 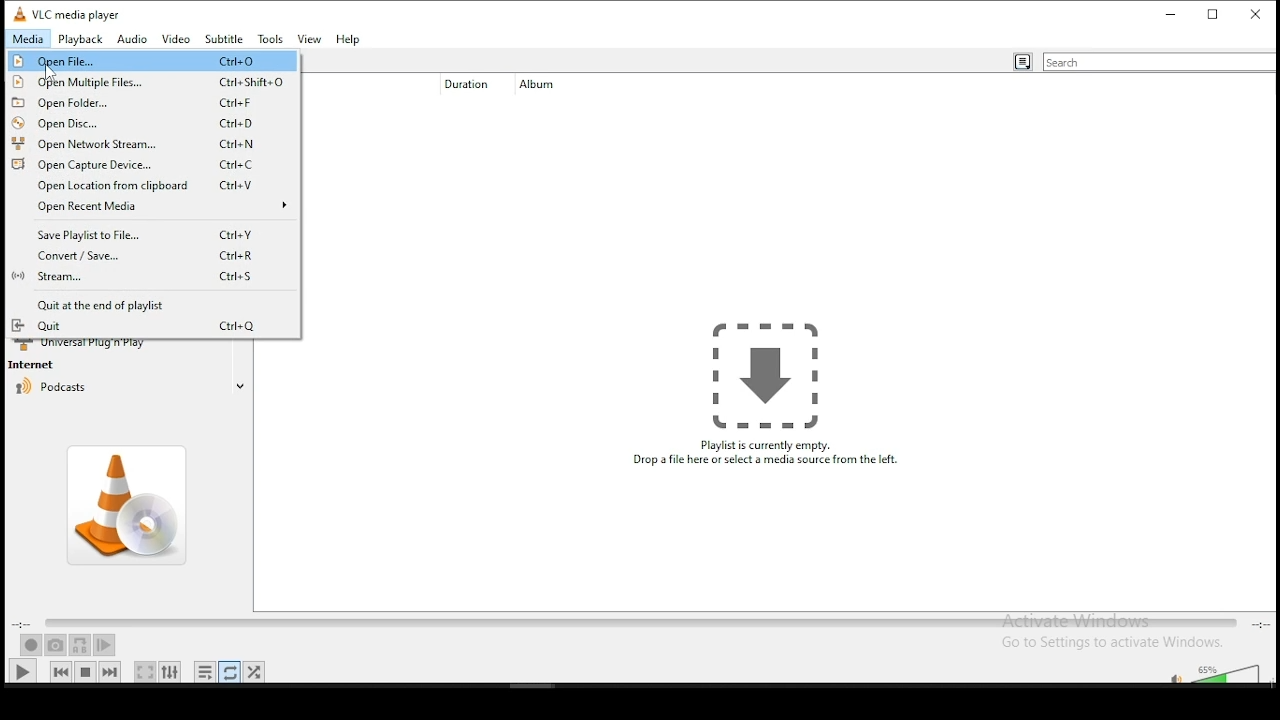 I want to click on play/pause, so click(x=23, y=671).